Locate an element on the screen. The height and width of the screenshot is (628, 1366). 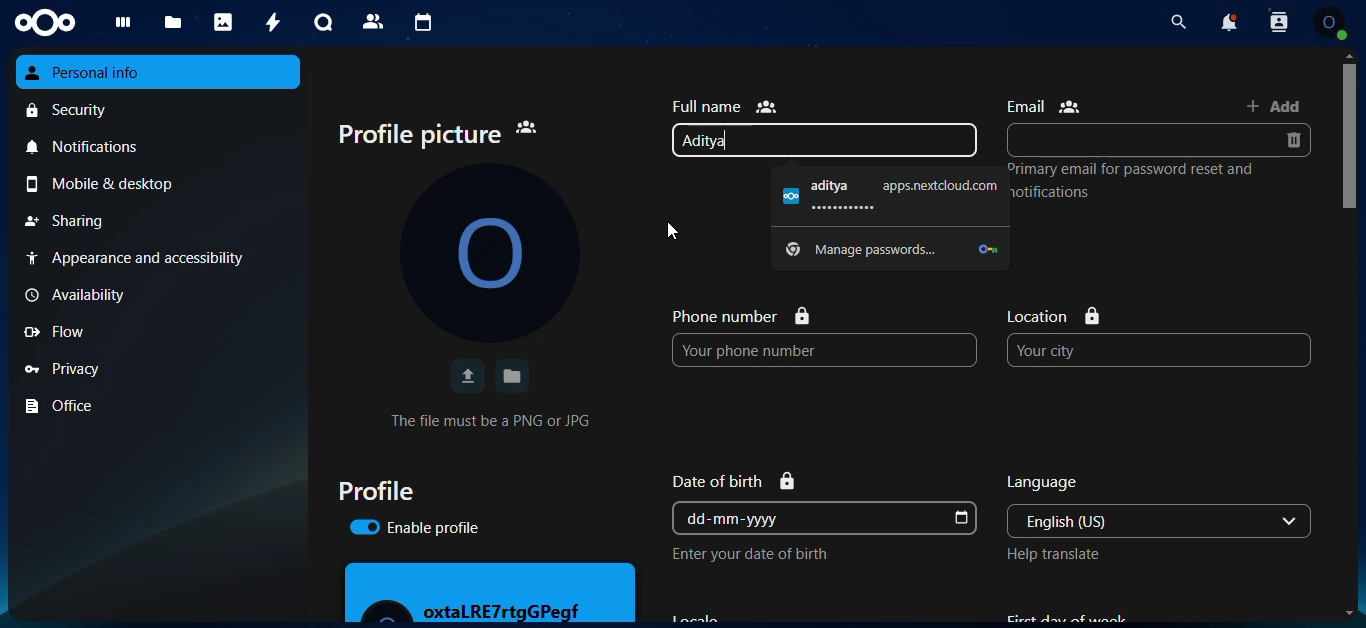
notifications is located at coordinates (160, 145).